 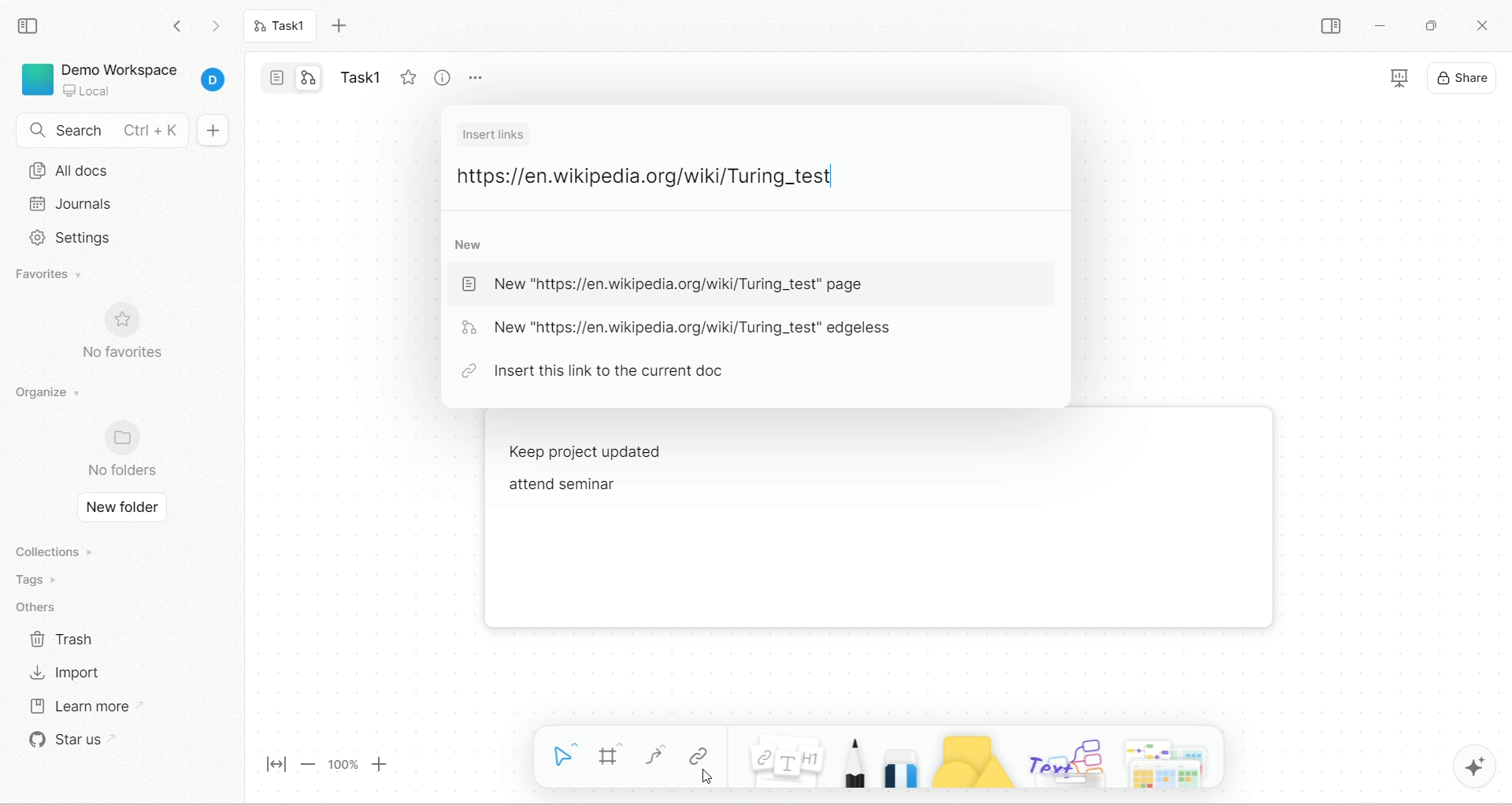 What do you see at coordinates (109, 236) in the screenshot?
I see `settings` at bounding box center [109, 236].